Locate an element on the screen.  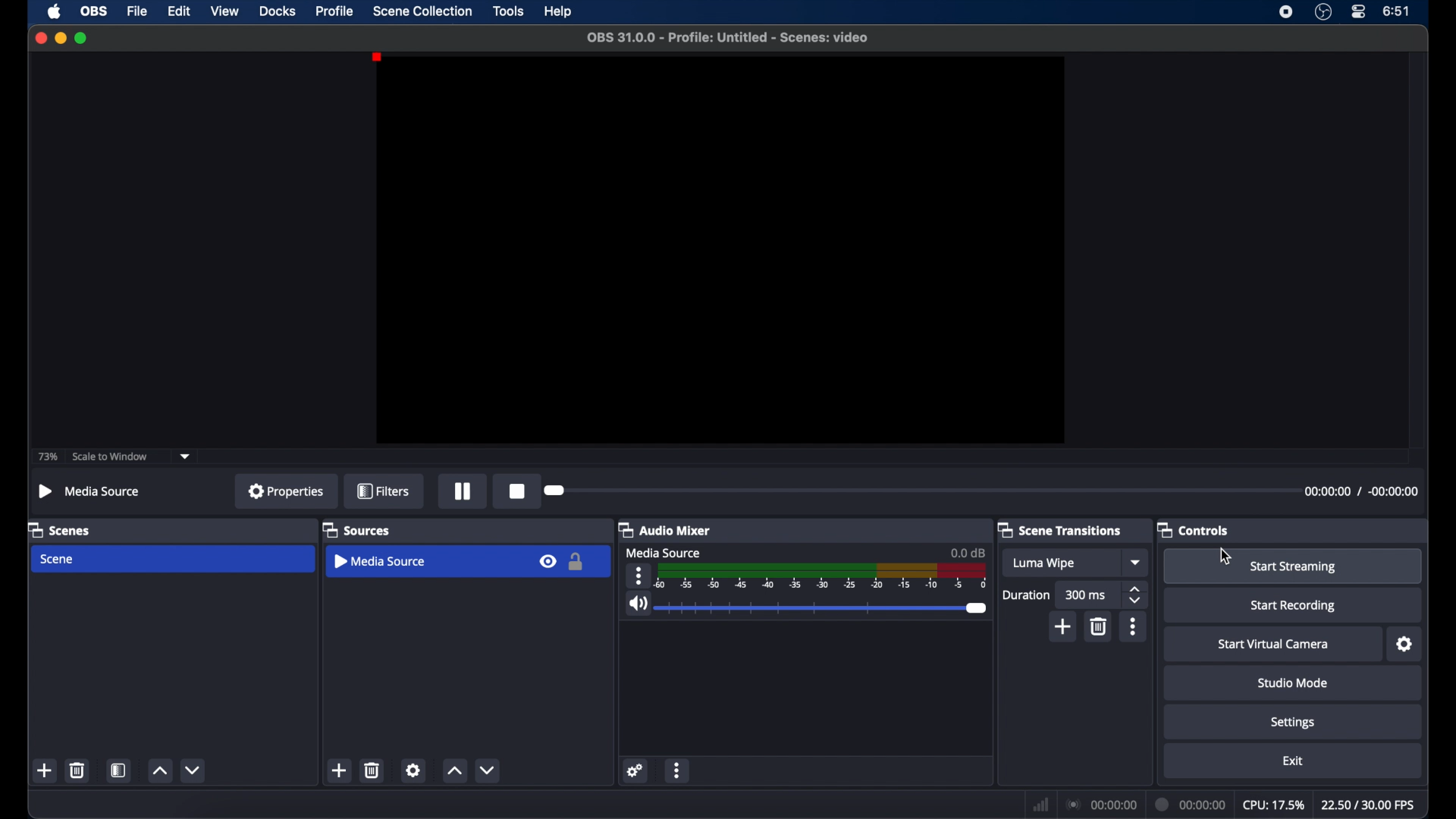
time is located at coordinates (1397, 10).